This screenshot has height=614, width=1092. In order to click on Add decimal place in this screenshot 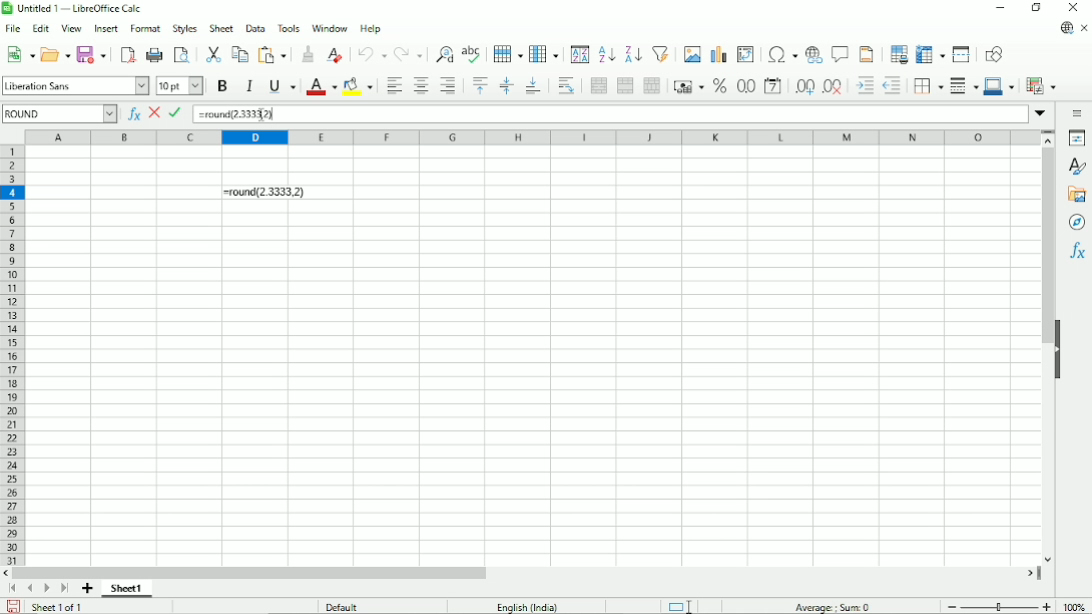, I will do `click(804, 87)`.